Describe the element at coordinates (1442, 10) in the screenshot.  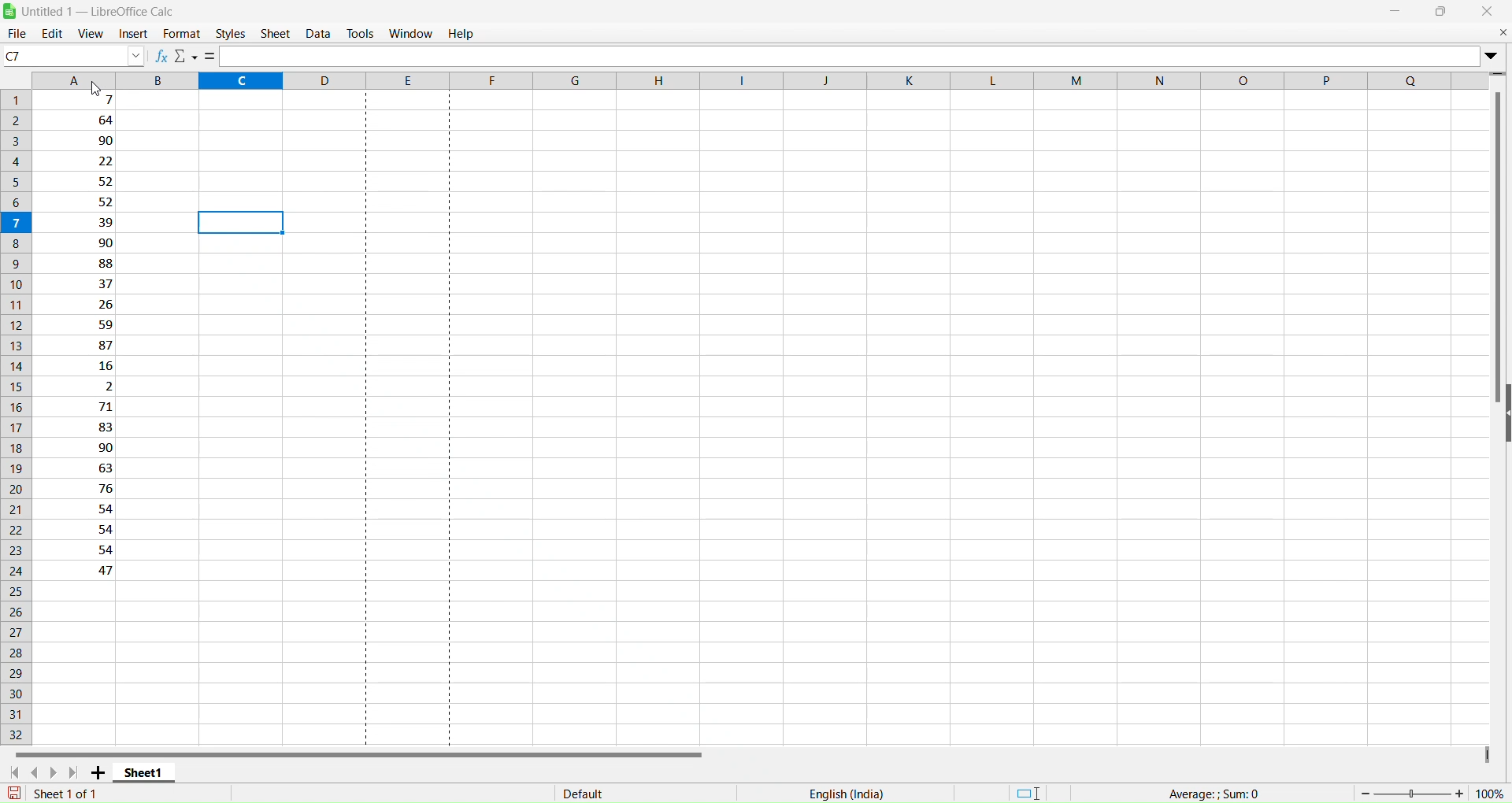
I see `Maximize` at that location.